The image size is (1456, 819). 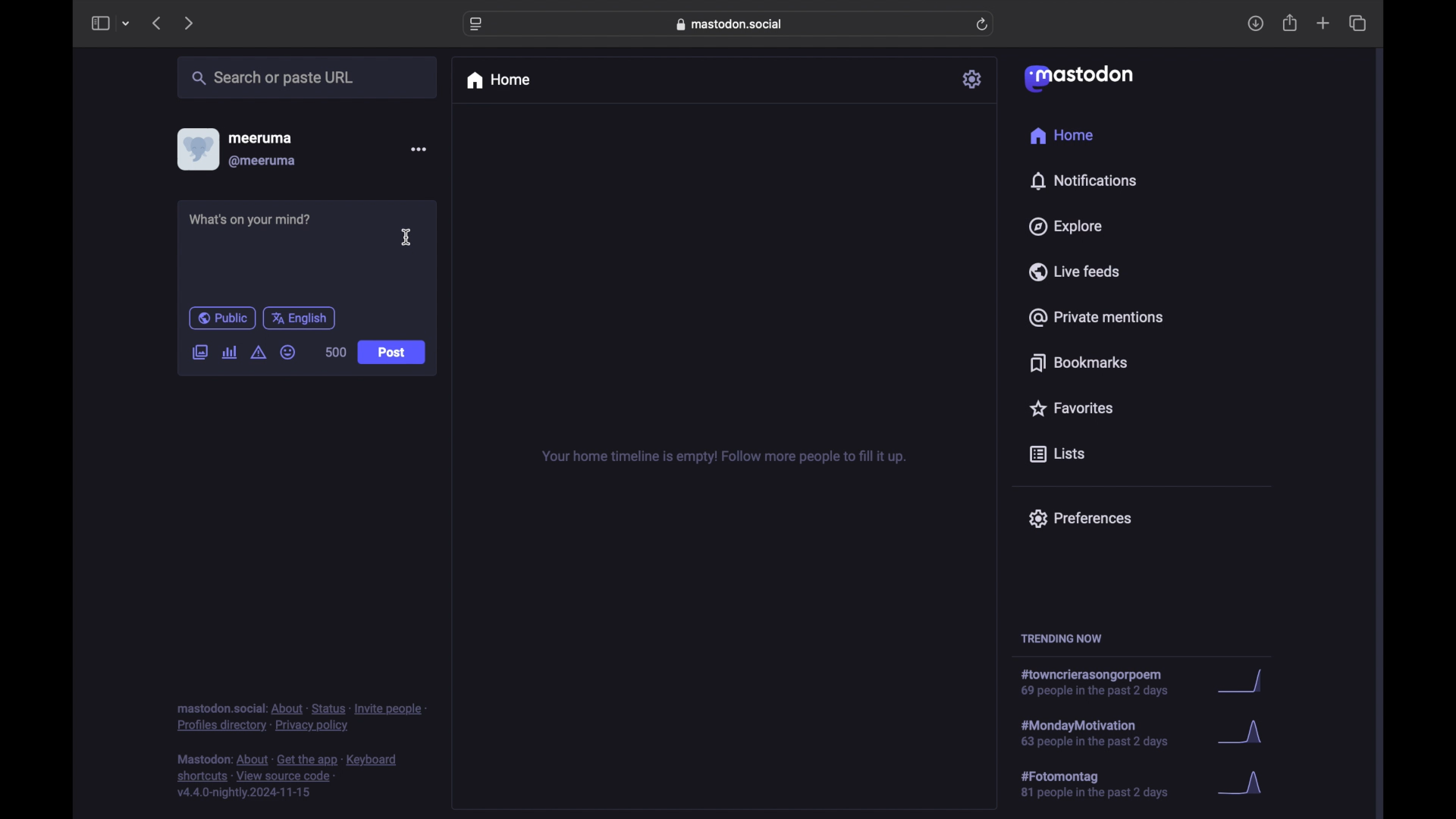 What do you see at coordinates (497, 80) in the screenshot?
I see `home` at bounding box center [497, 80].